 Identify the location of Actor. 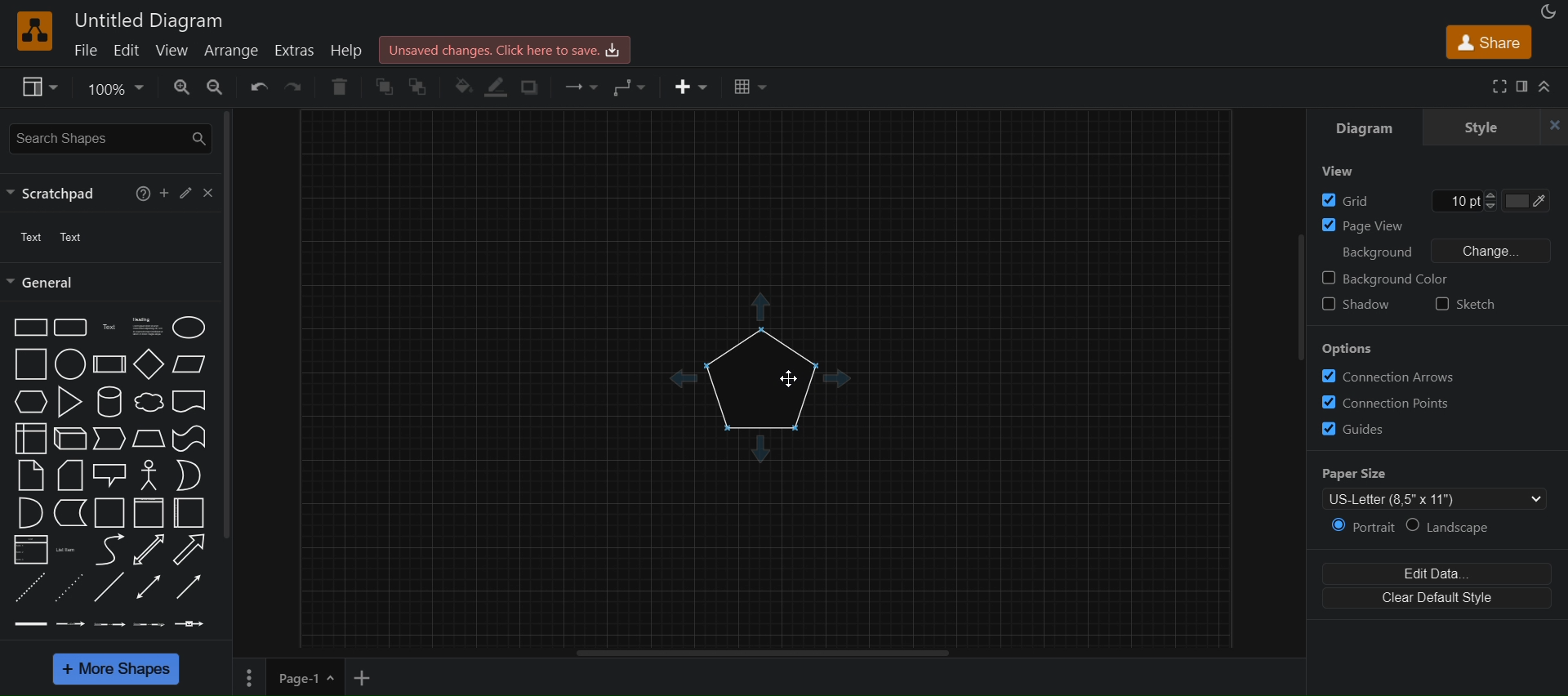
(149, 475).